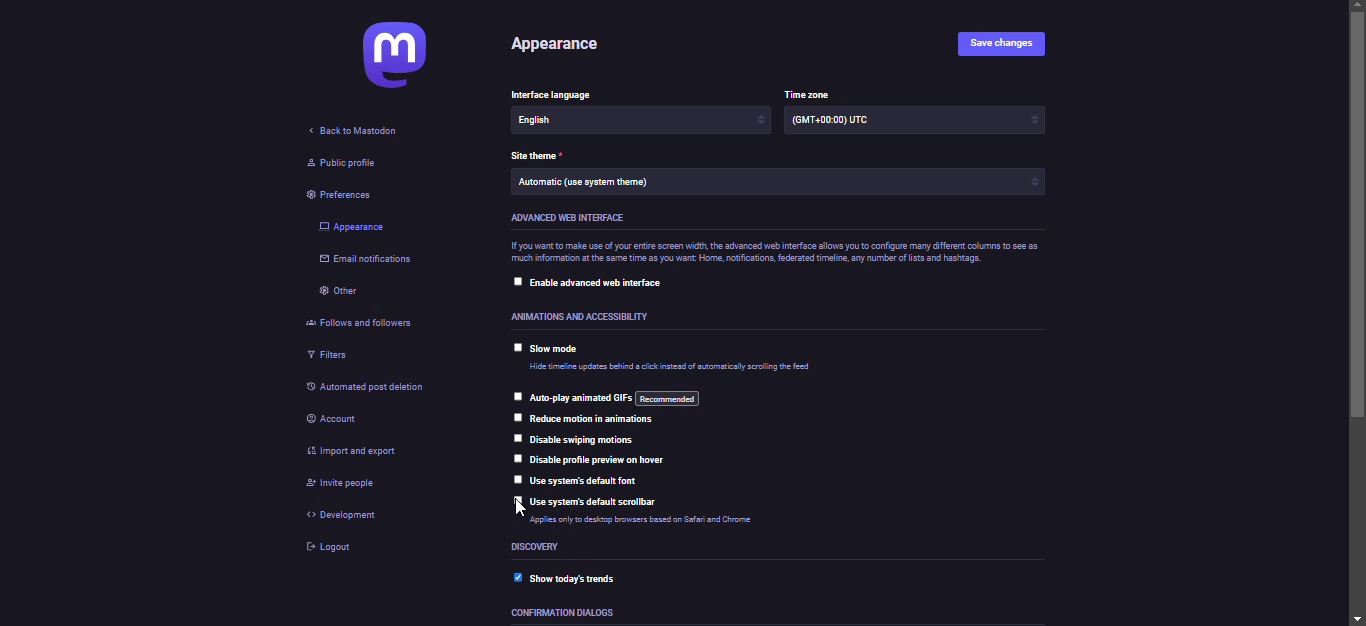 The height and width of the screenshot is (626, 1366). Describe the element at coordinates (576, 218) in the screenshot. I see `advanced web interface` at that location.